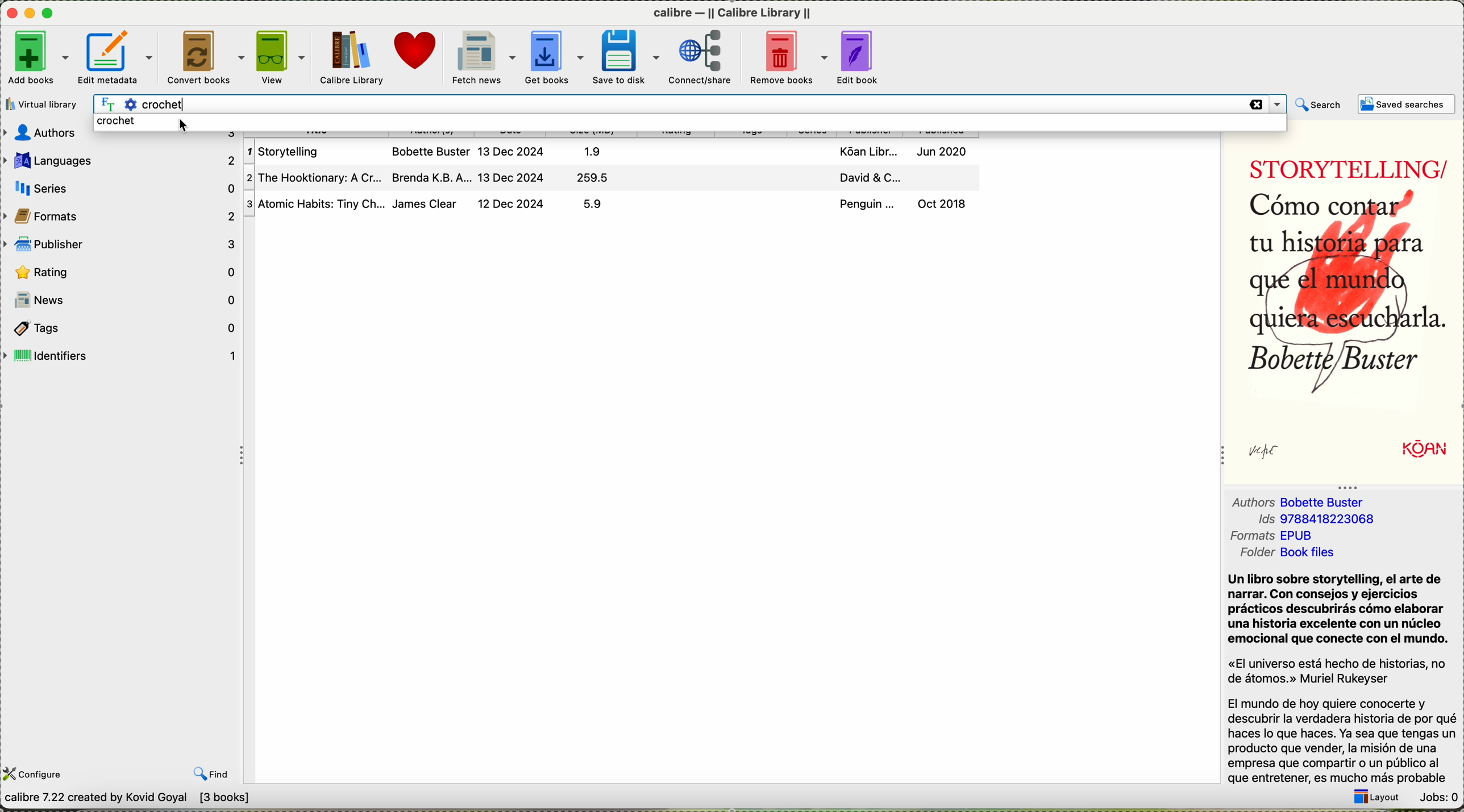 The height and width of the screenshot is (812, 1464). Describe the element at coordinates (601, 204) in the screenshot. I see `5.9` at that location.